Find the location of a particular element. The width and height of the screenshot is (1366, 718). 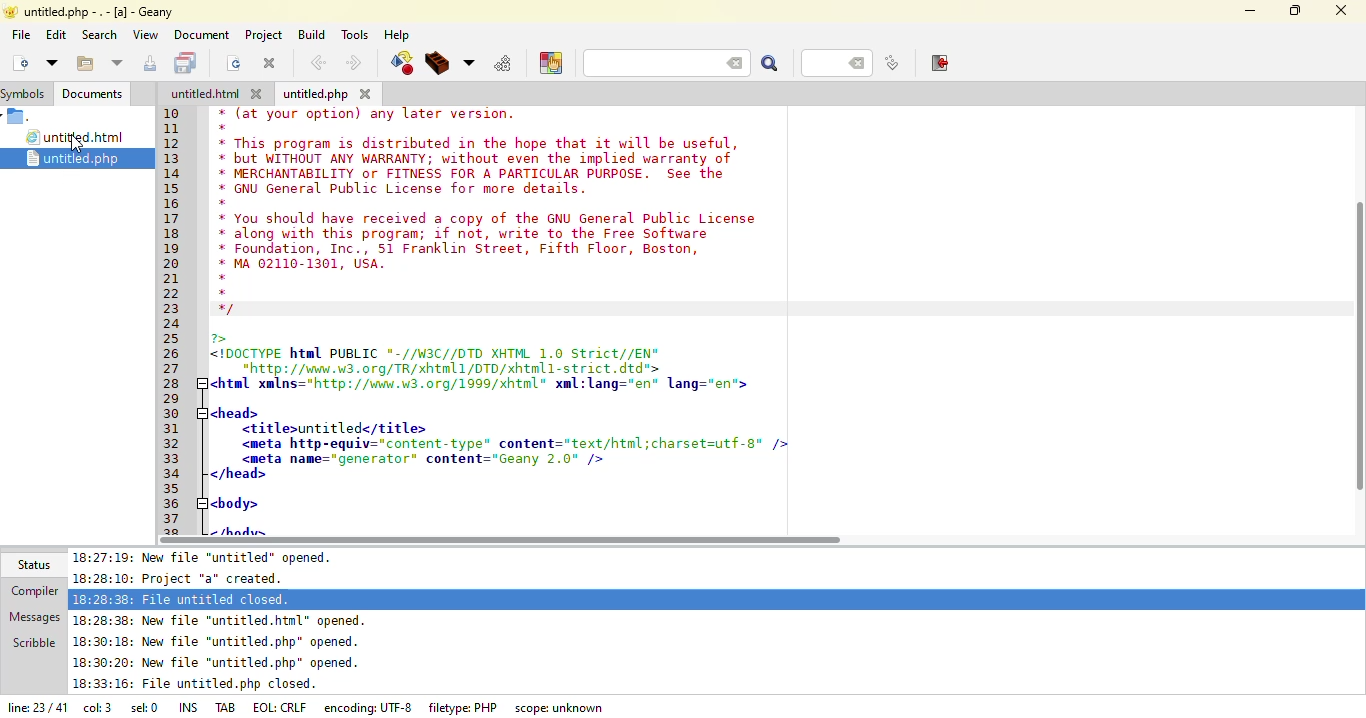

tools is located at coordinates (359, 35).